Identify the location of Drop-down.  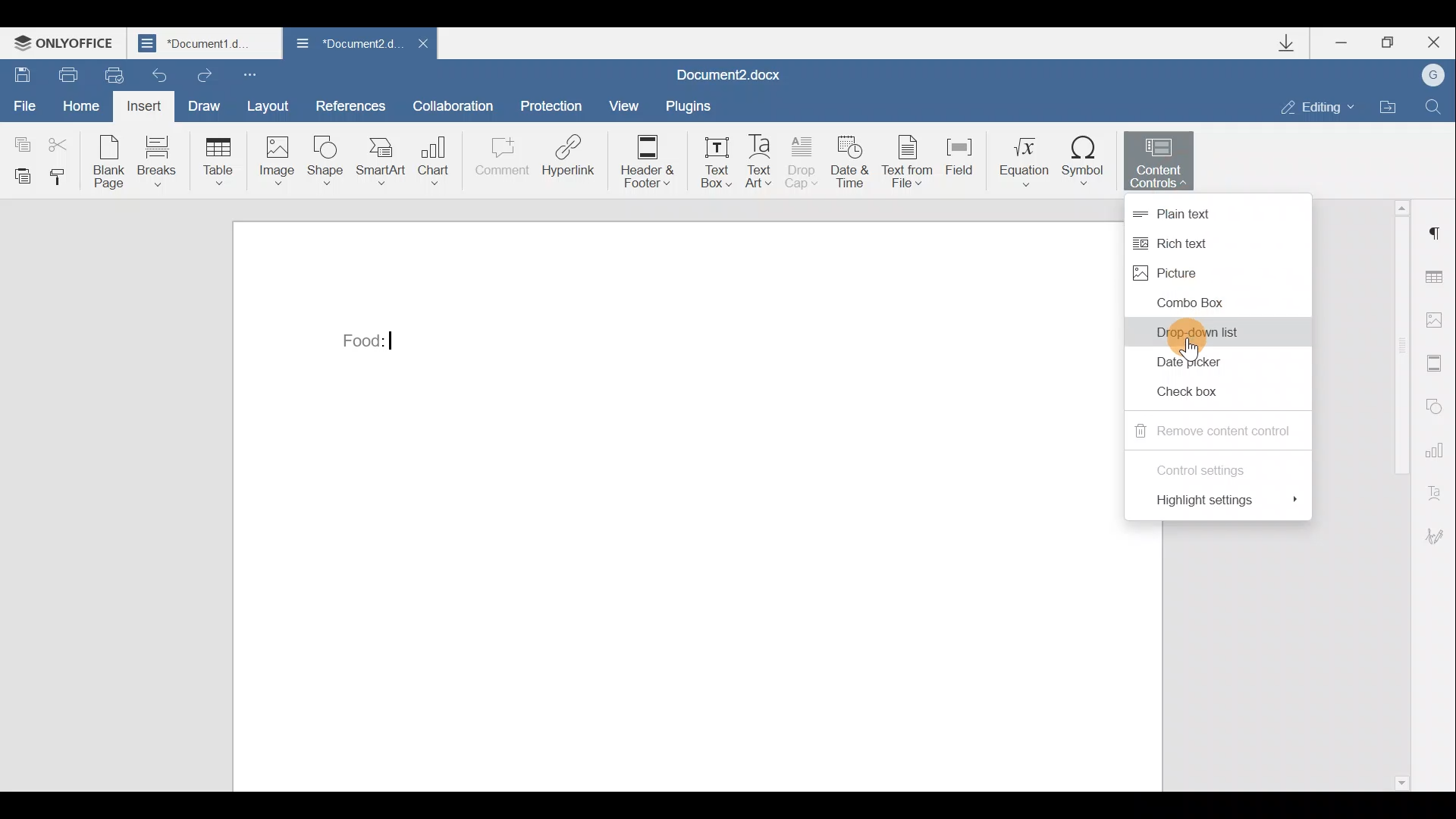
(433, 342).